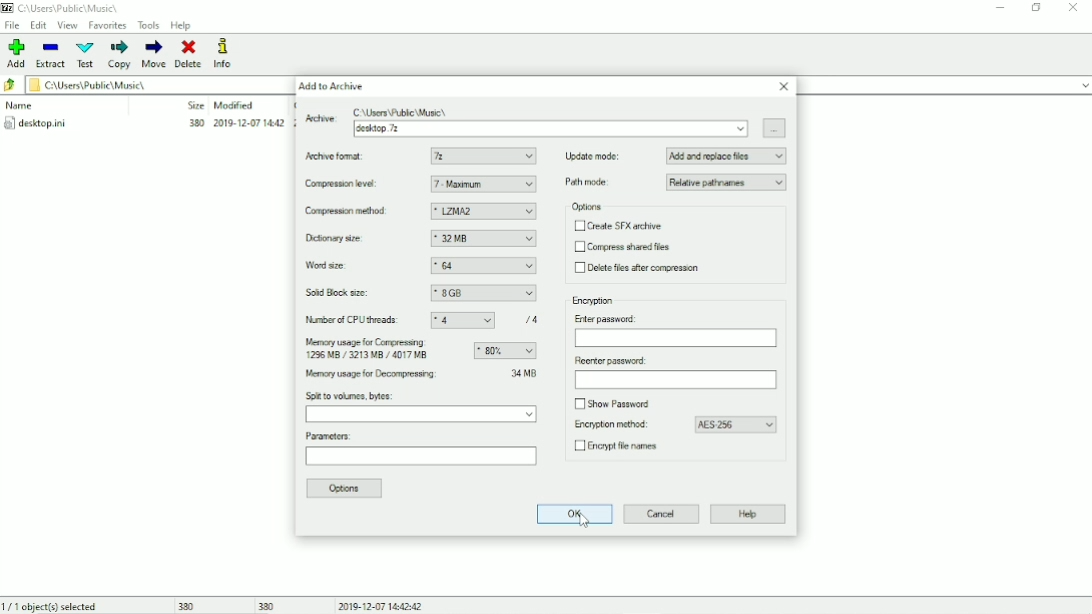  I want to click on Word size, so click(343, 266).